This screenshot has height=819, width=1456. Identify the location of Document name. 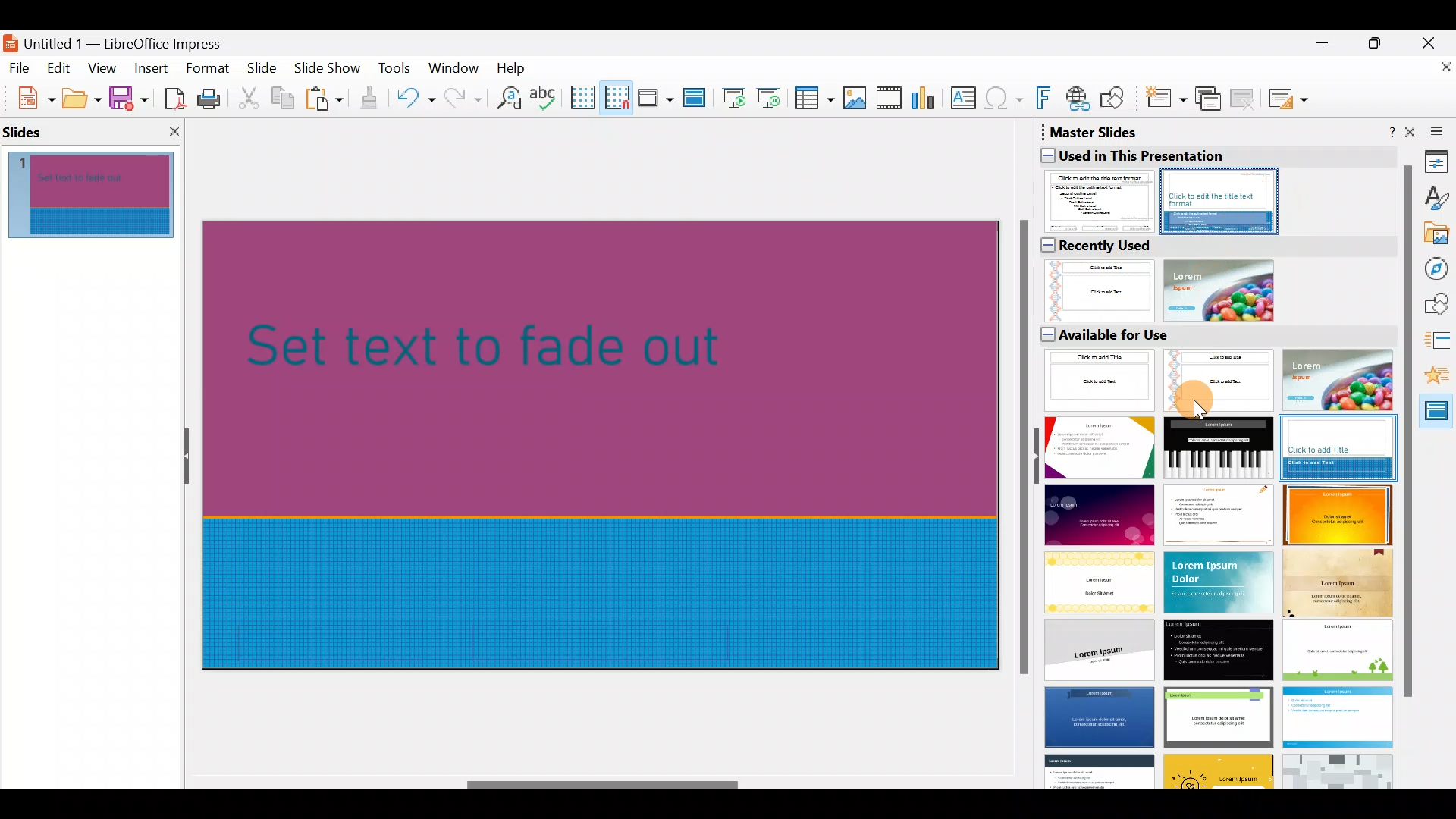
(124, 39).